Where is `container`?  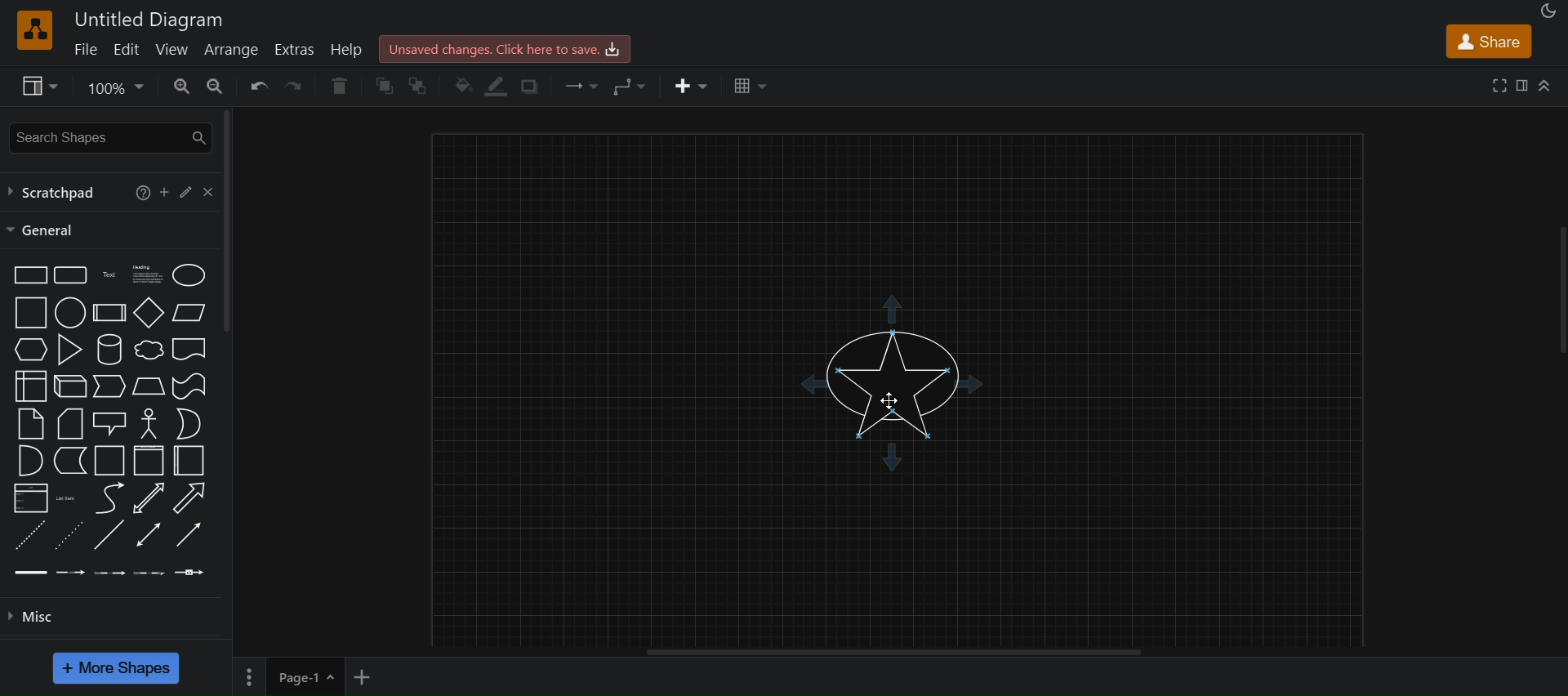 container is located at coordinates (149, 460).